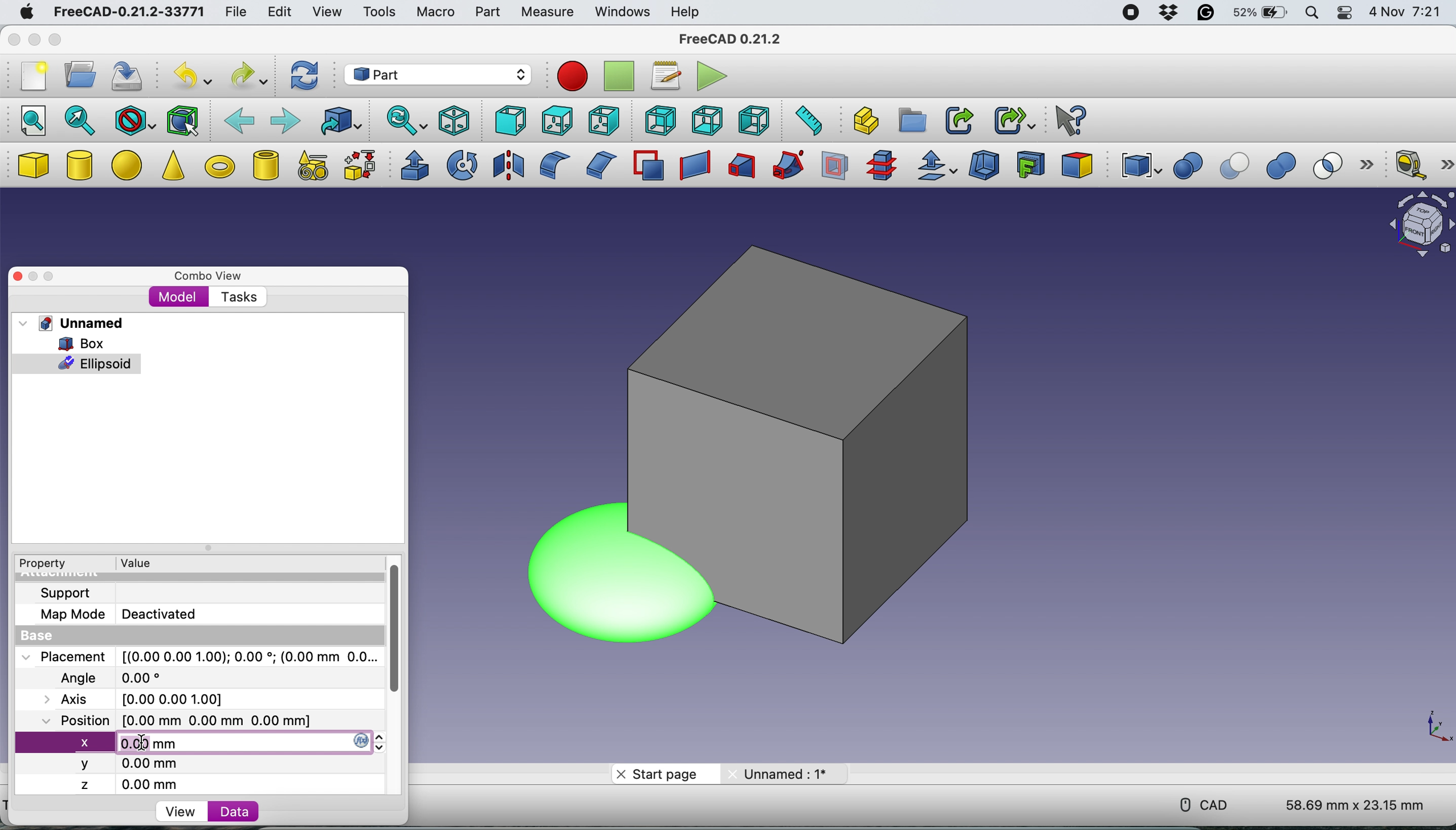 The image size is (1456, 830). What do you see at coordinates (658, 120) in the screenshot?
I see `rear` at bounding box center [658, 120].